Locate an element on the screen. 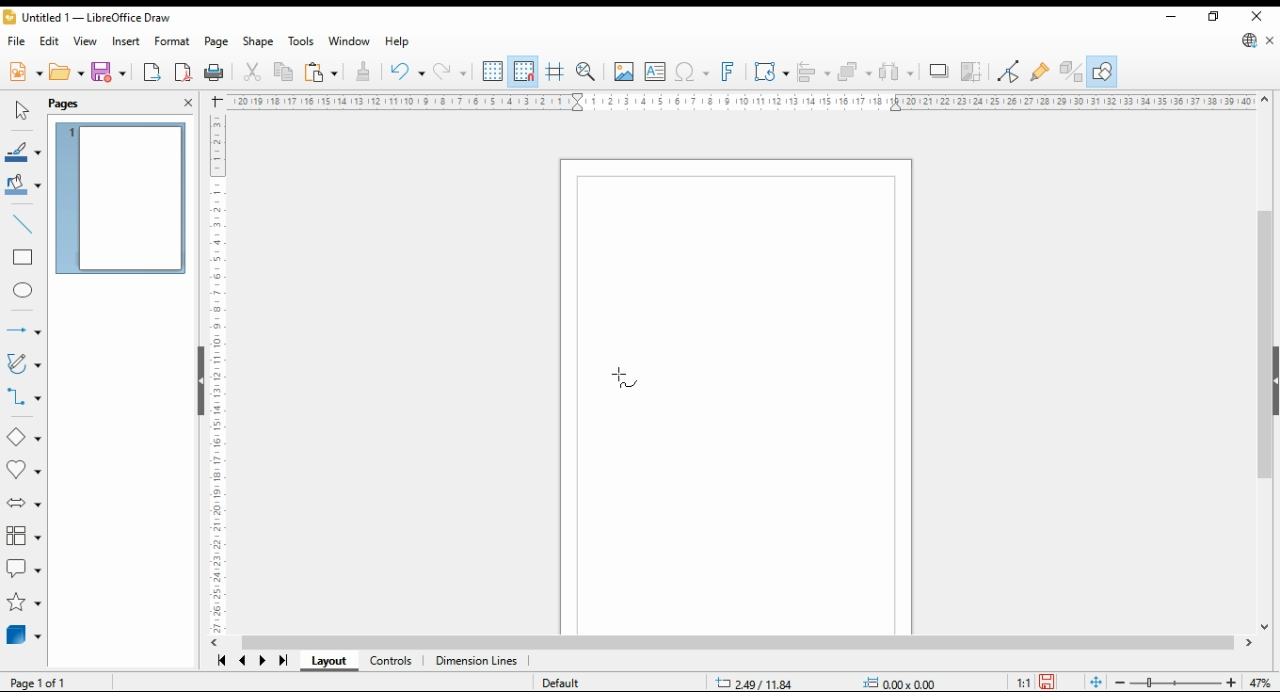 The height and width of the screenshot is (692, 1280). save is located at coordinates (1049, 683).